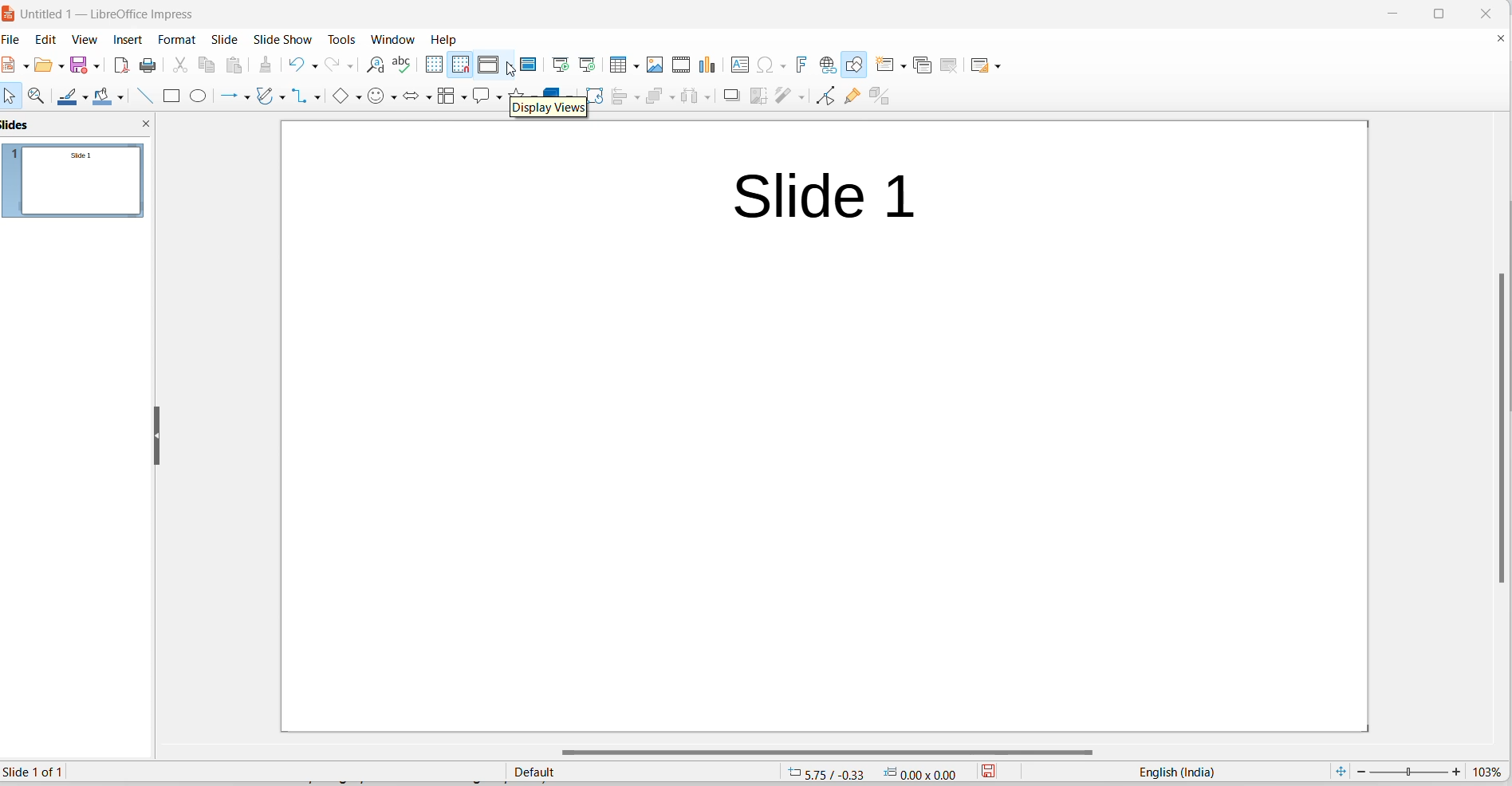 The image size is (1512, 786). What do you see at coordinates (642, 771) in the screenshot?
I see `slide master type` at bounding box center [642, 771].